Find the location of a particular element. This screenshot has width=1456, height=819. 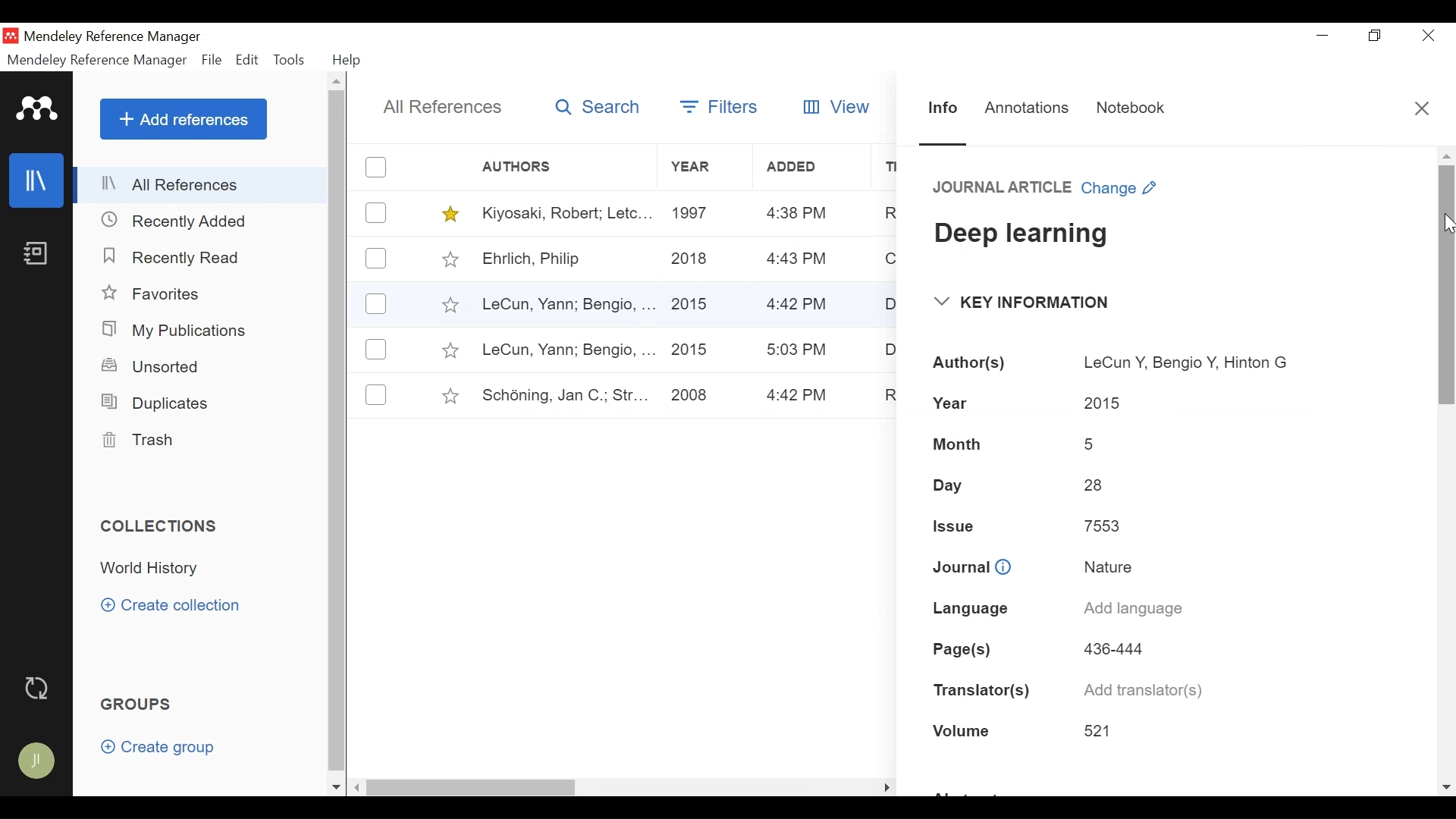

Tools is located at coordinates (293, 60).